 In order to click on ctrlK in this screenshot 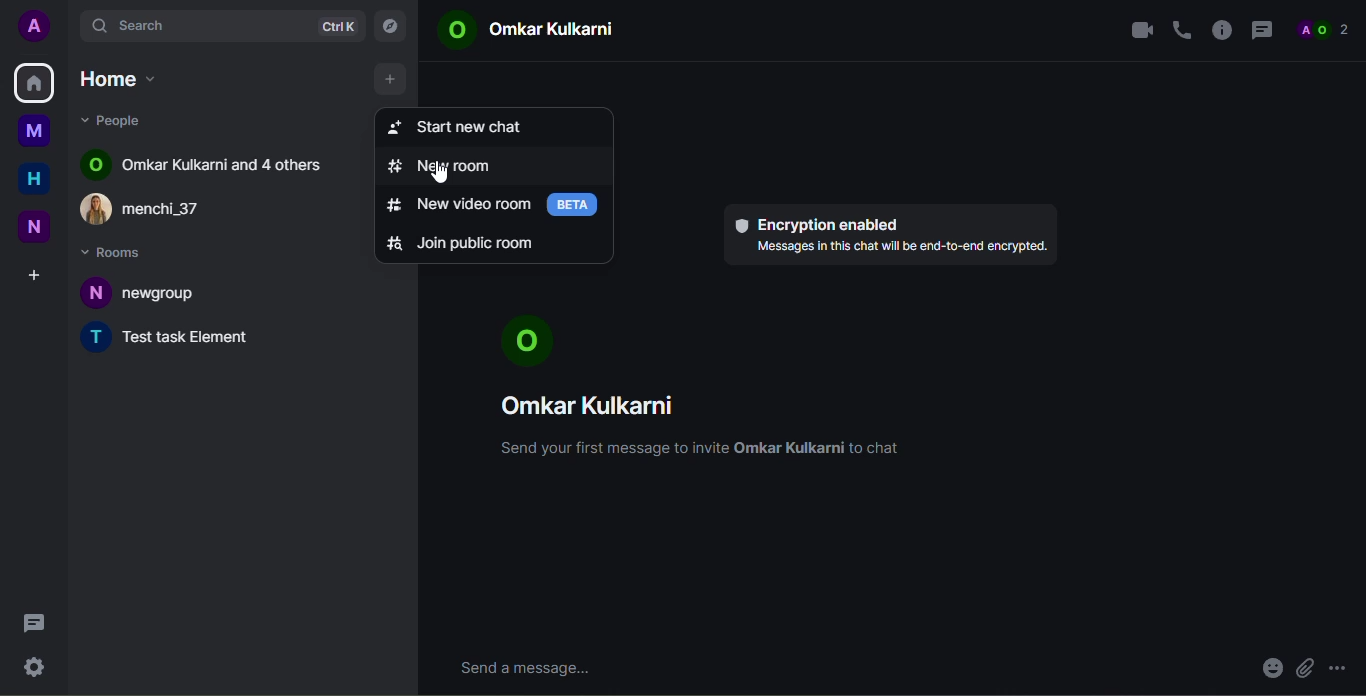, I will do `click(337, 27)`.